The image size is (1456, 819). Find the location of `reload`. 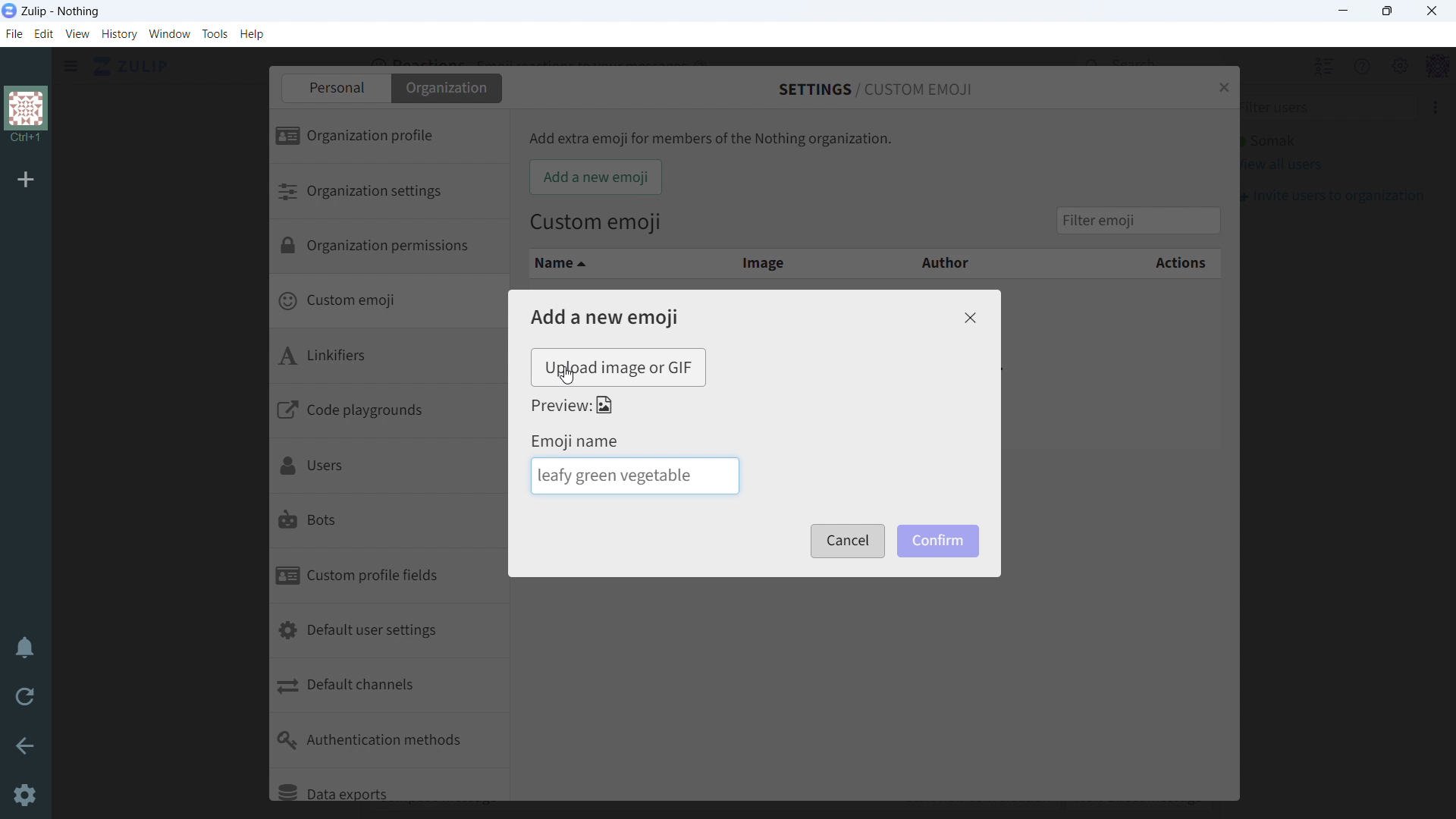

reload is located at coordinates (25, 698).